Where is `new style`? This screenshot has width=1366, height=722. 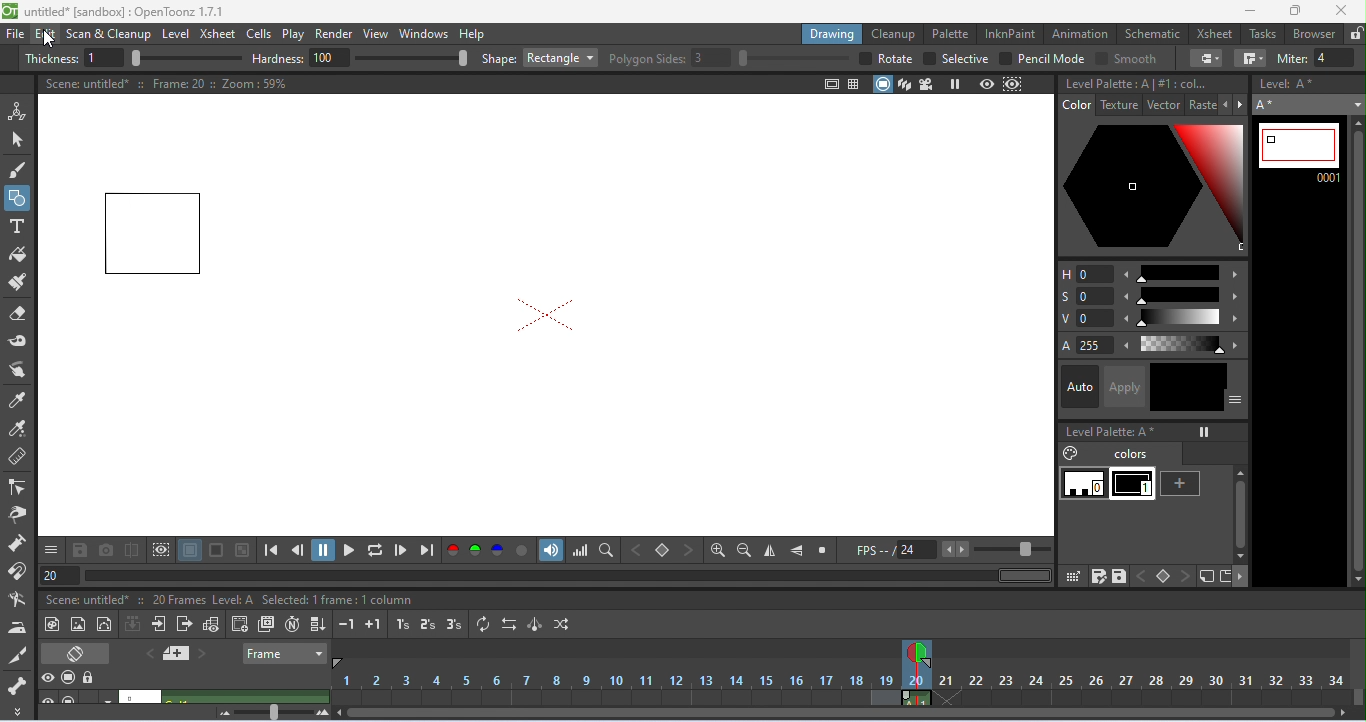 new style is located at coordinates (1205, 577).